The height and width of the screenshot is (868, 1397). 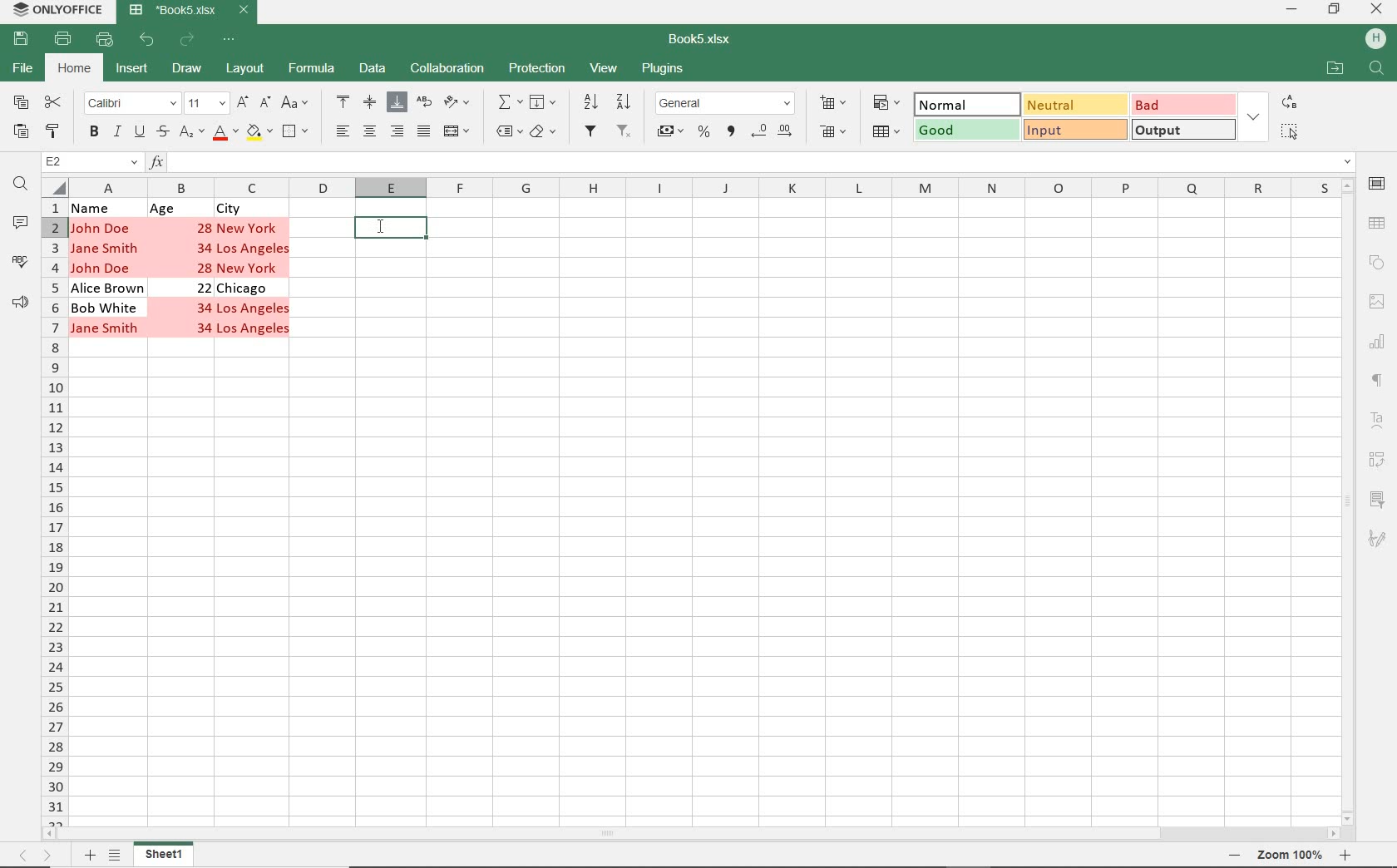 What do you see at coordinates (1375, 38) in the screenshot?
I see `HP` at bounding box center [1375, 38].